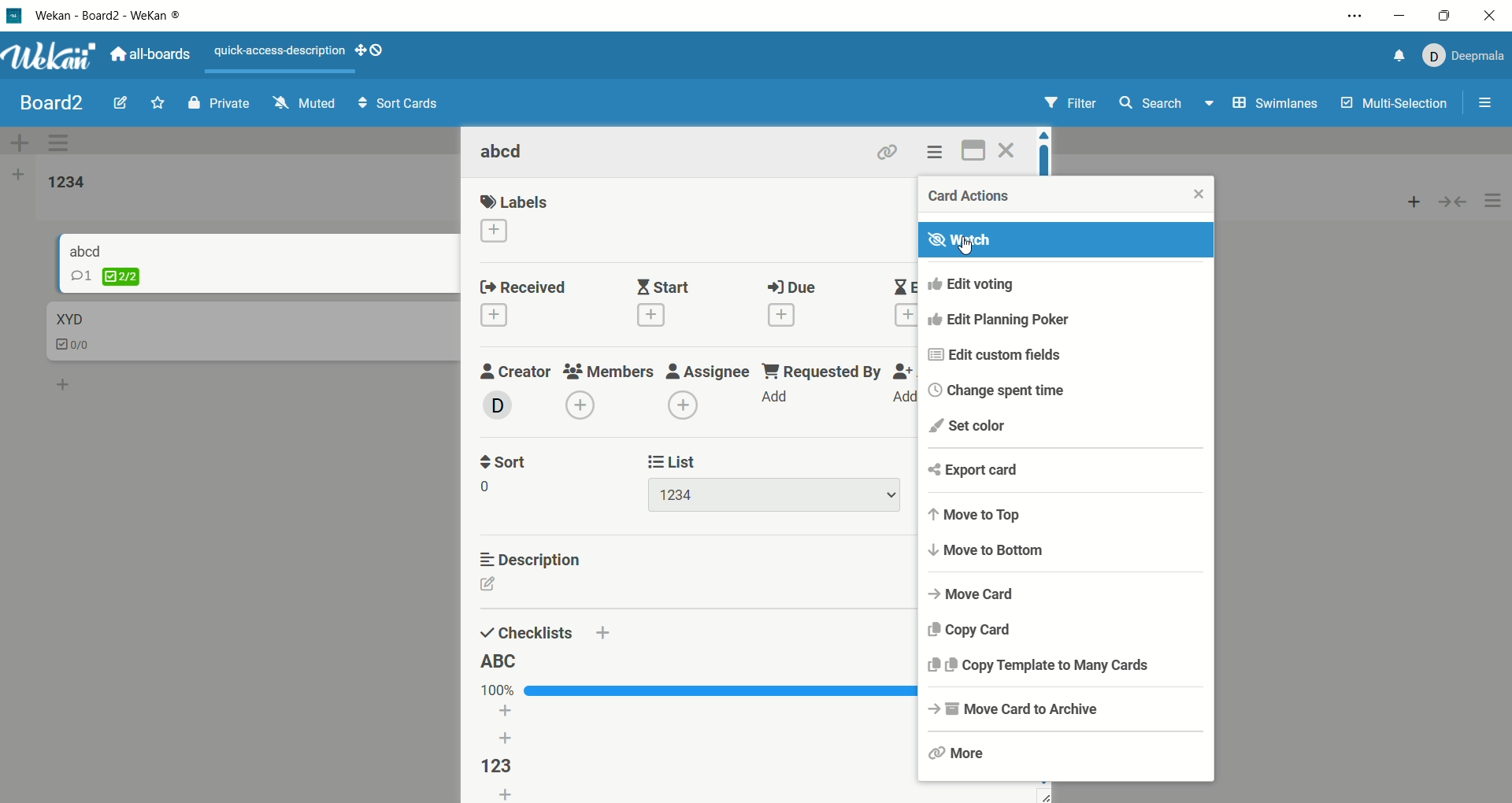 This screenshot has height=803, width=1512. Describe the element at coordinates (1064, 551) in the screenshot. I see `move to bottom` at that location.